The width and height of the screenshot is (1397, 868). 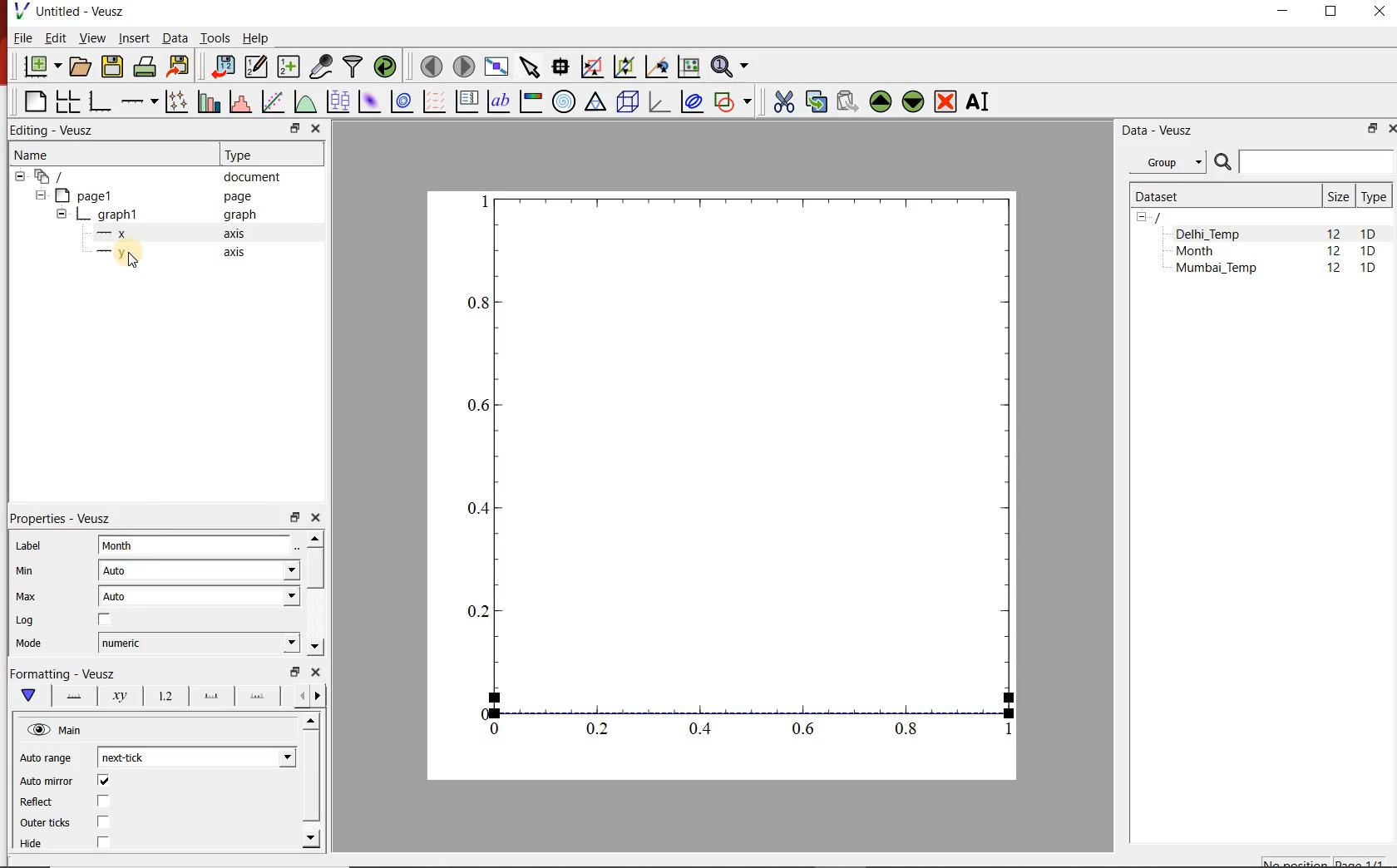 What do you see at coordinates (313, 782) in the screenshot?
I see `scrollbar` at bounding box center [313, 782].